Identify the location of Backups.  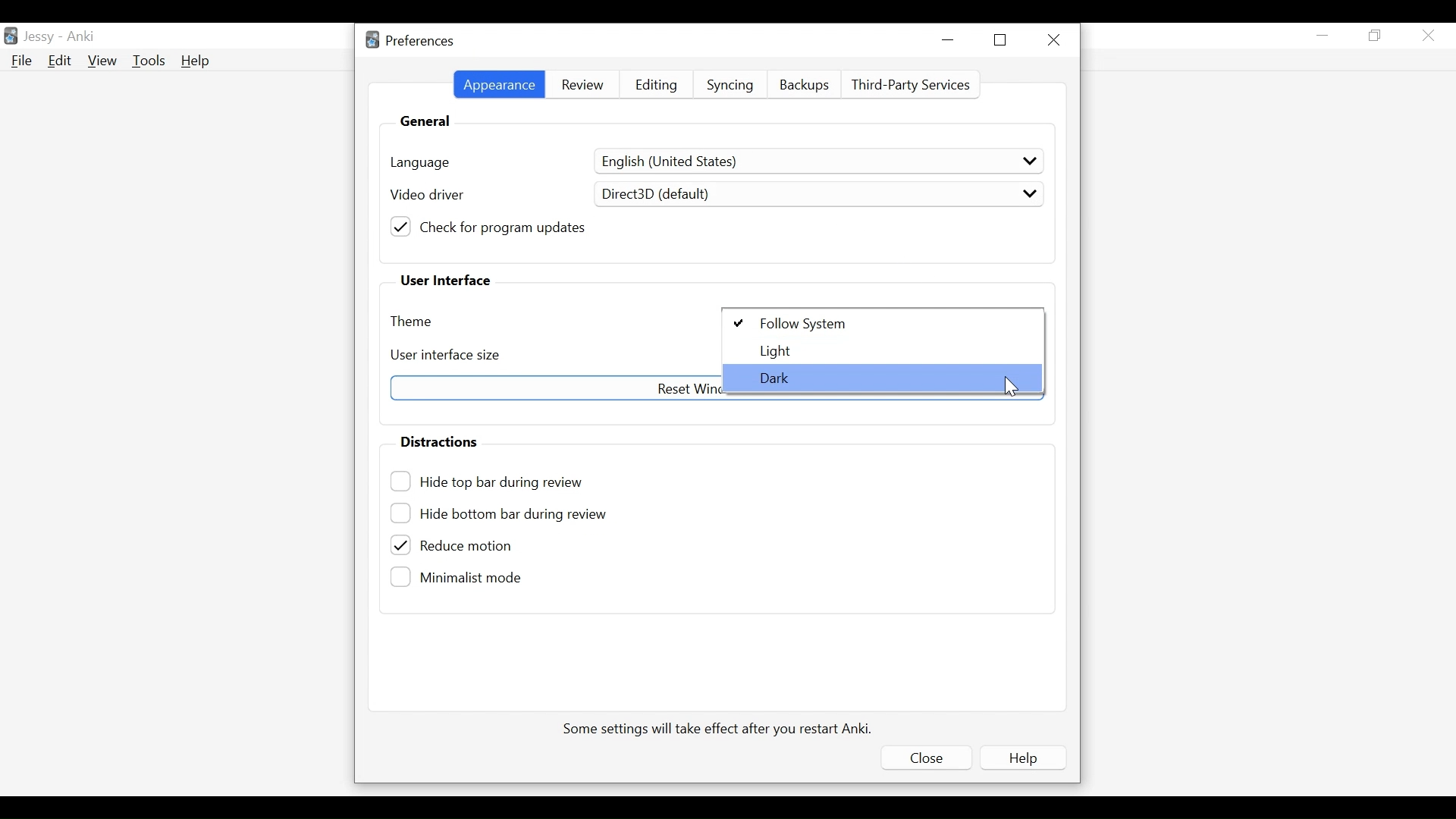
(806, 86).